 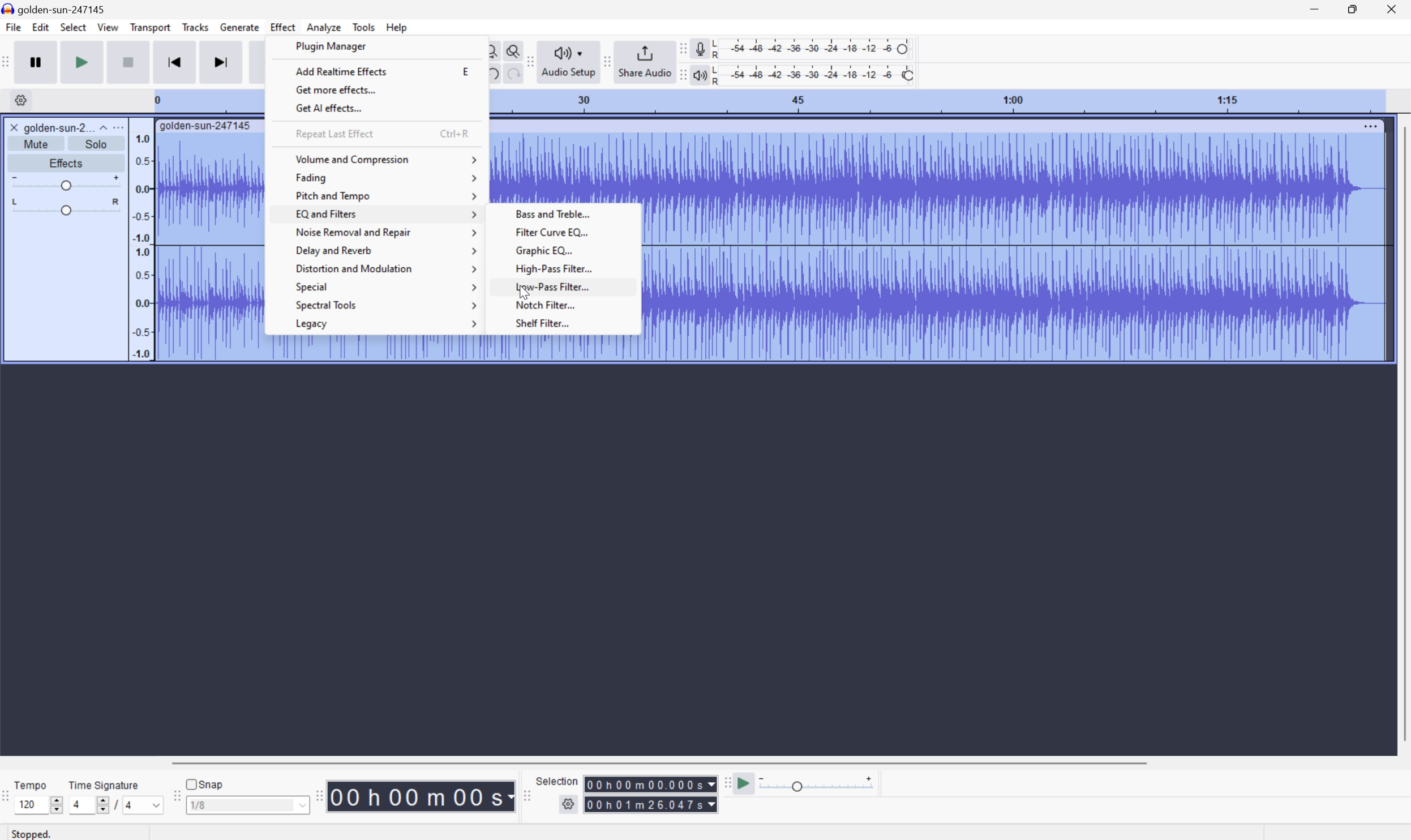 What do you see at coordinates (103, 785) in the screenshot?
I see `Time signature` at bounding box center [103, 785].